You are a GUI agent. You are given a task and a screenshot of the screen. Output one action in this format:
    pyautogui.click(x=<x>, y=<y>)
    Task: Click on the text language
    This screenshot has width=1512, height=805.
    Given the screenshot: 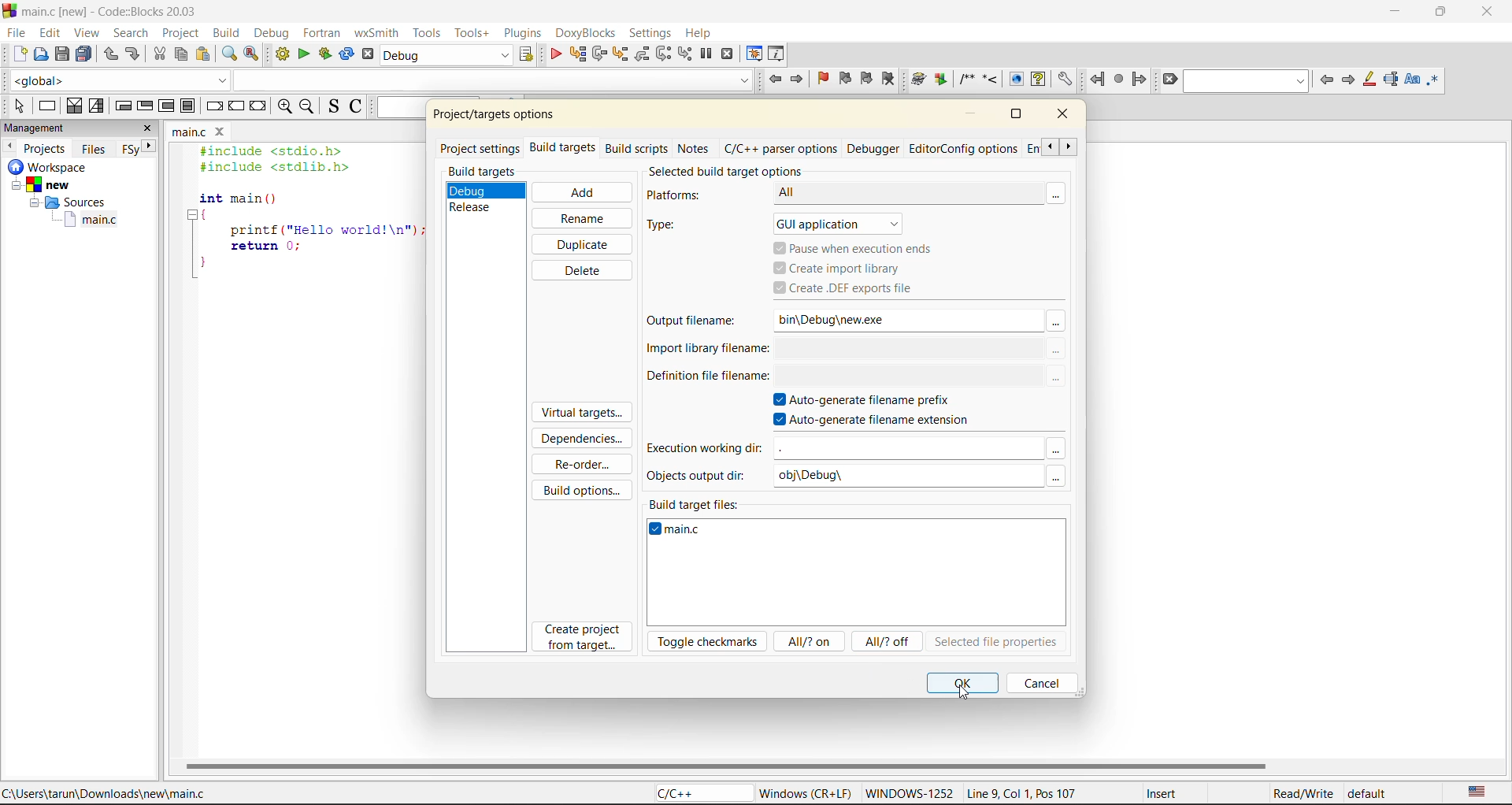 What is the action you would take?
    pyautogui.click(x=1477, y=789)
    